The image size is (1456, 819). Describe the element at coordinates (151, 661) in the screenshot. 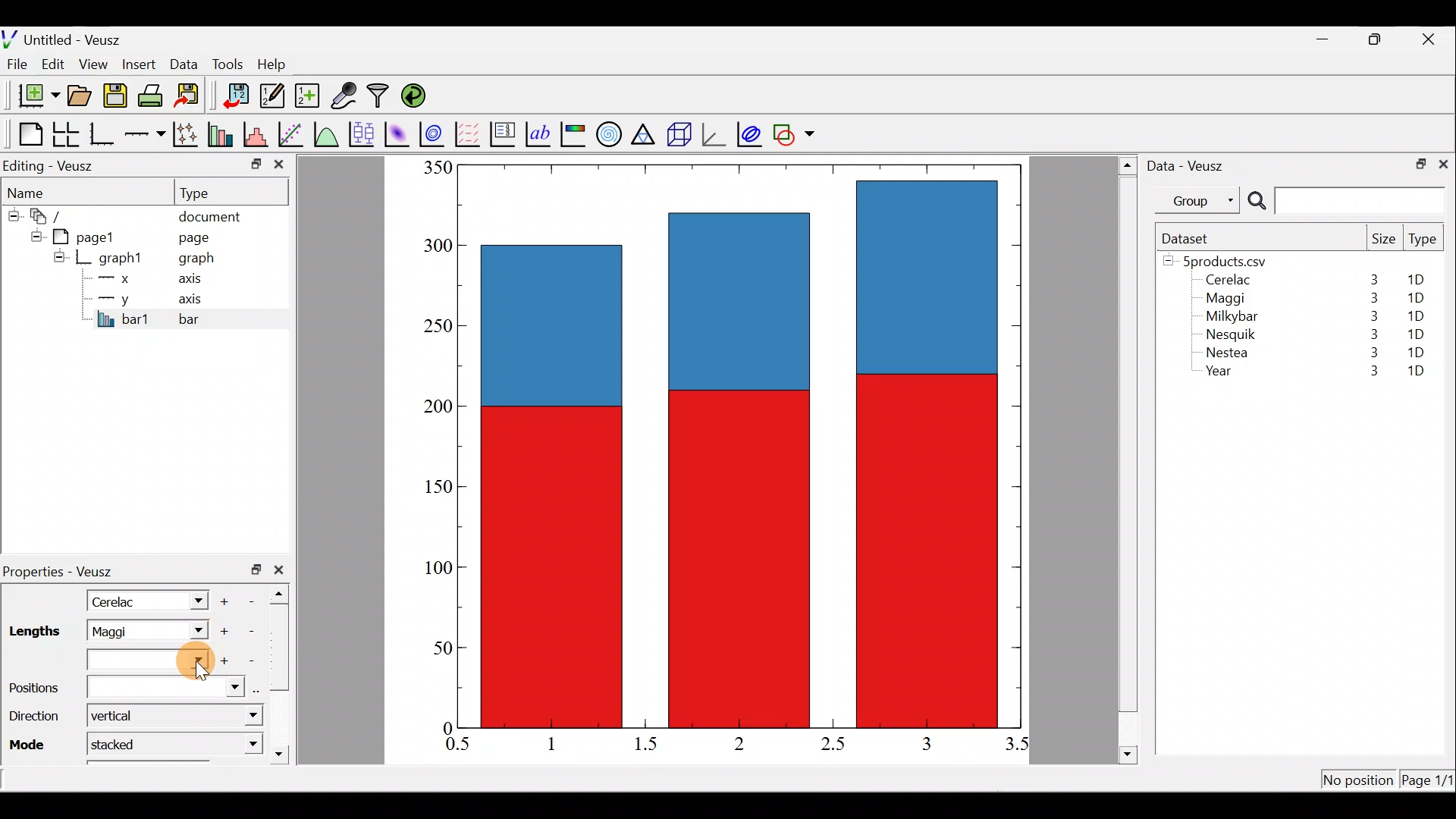

I see `Length dropdown` at that location.